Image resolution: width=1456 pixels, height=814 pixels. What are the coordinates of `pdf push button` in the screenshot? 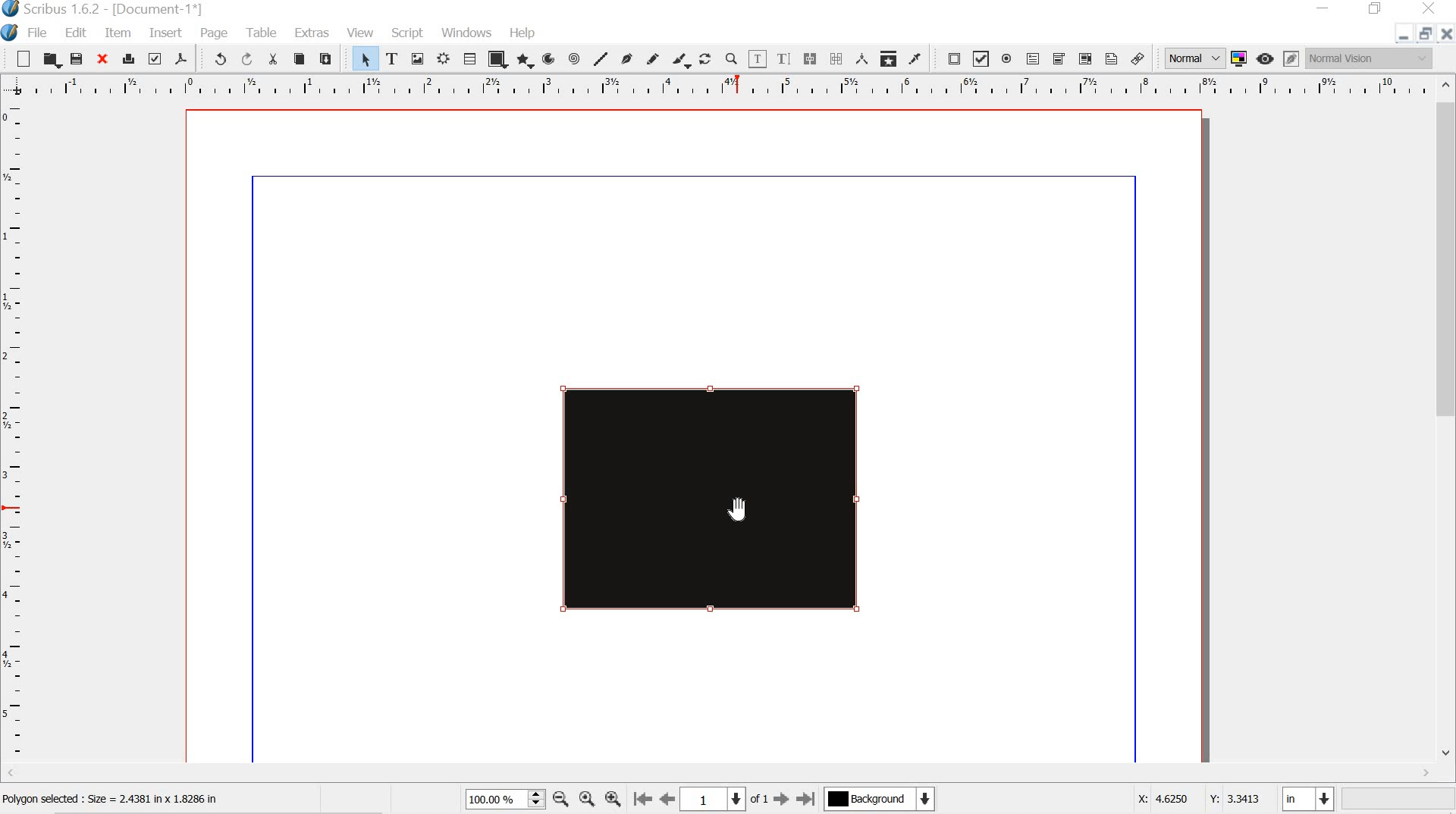 It's located at (951, 58).